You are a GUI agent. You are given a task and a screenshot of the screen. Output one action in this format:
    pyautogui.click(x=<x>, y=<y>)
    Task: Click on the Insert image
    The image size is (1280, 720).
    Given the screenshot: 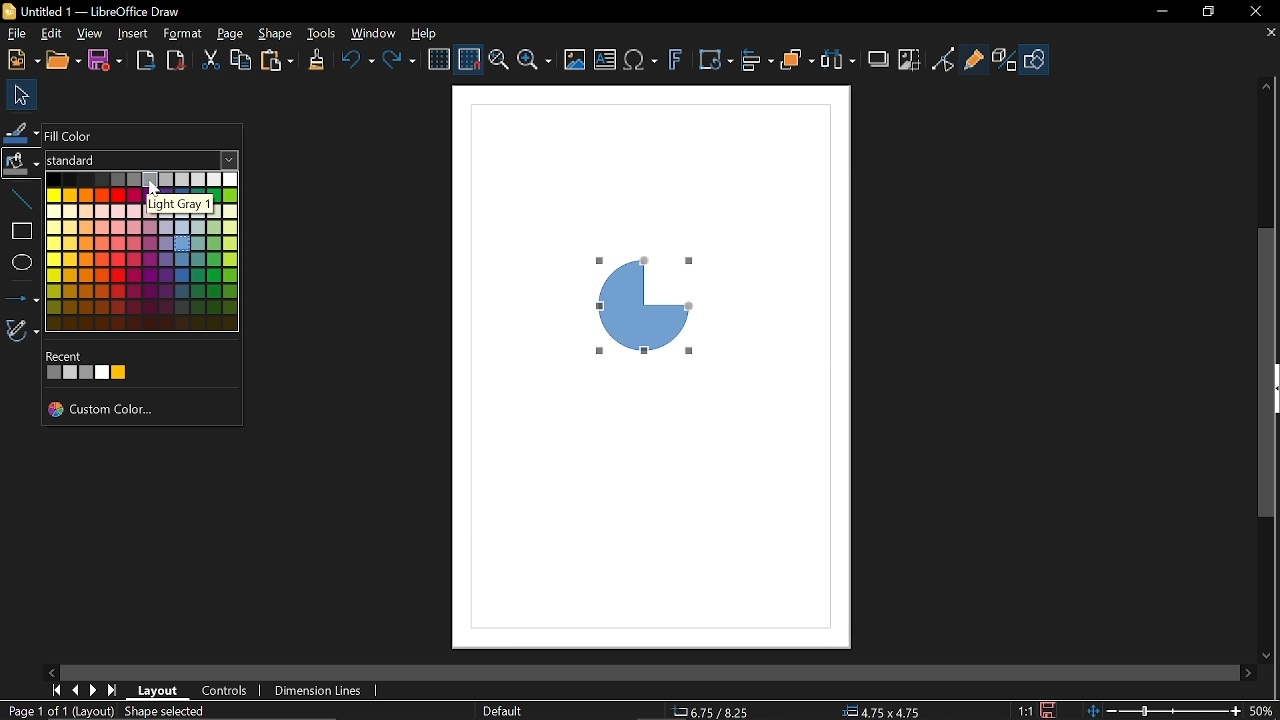 What is the action you would take?
    pyautogui.click(x=604, y=59)
    